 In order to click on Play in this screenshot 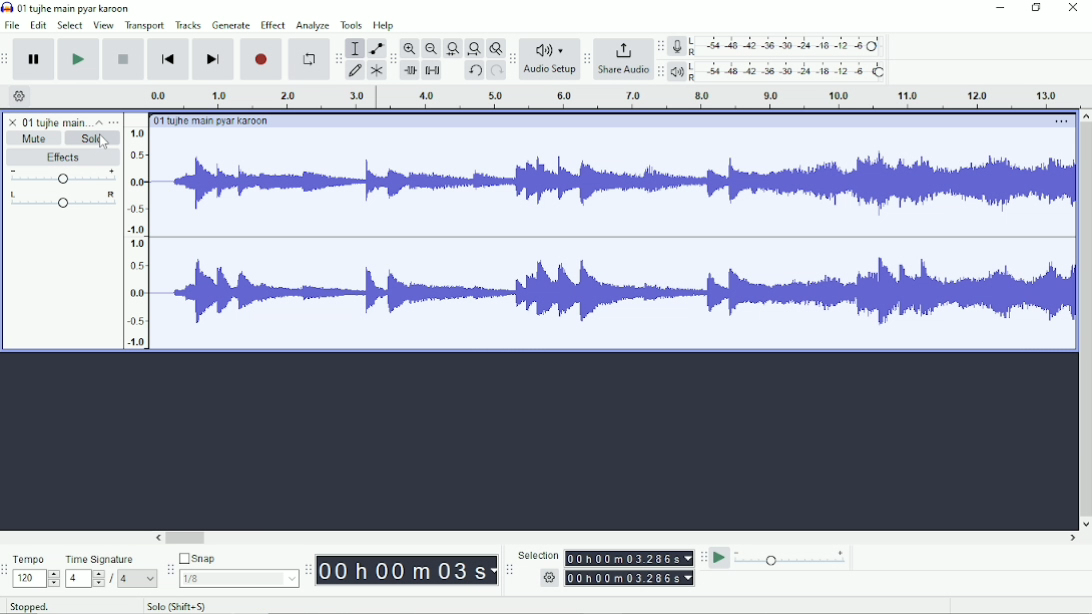, I will do `click(78, 58)`.